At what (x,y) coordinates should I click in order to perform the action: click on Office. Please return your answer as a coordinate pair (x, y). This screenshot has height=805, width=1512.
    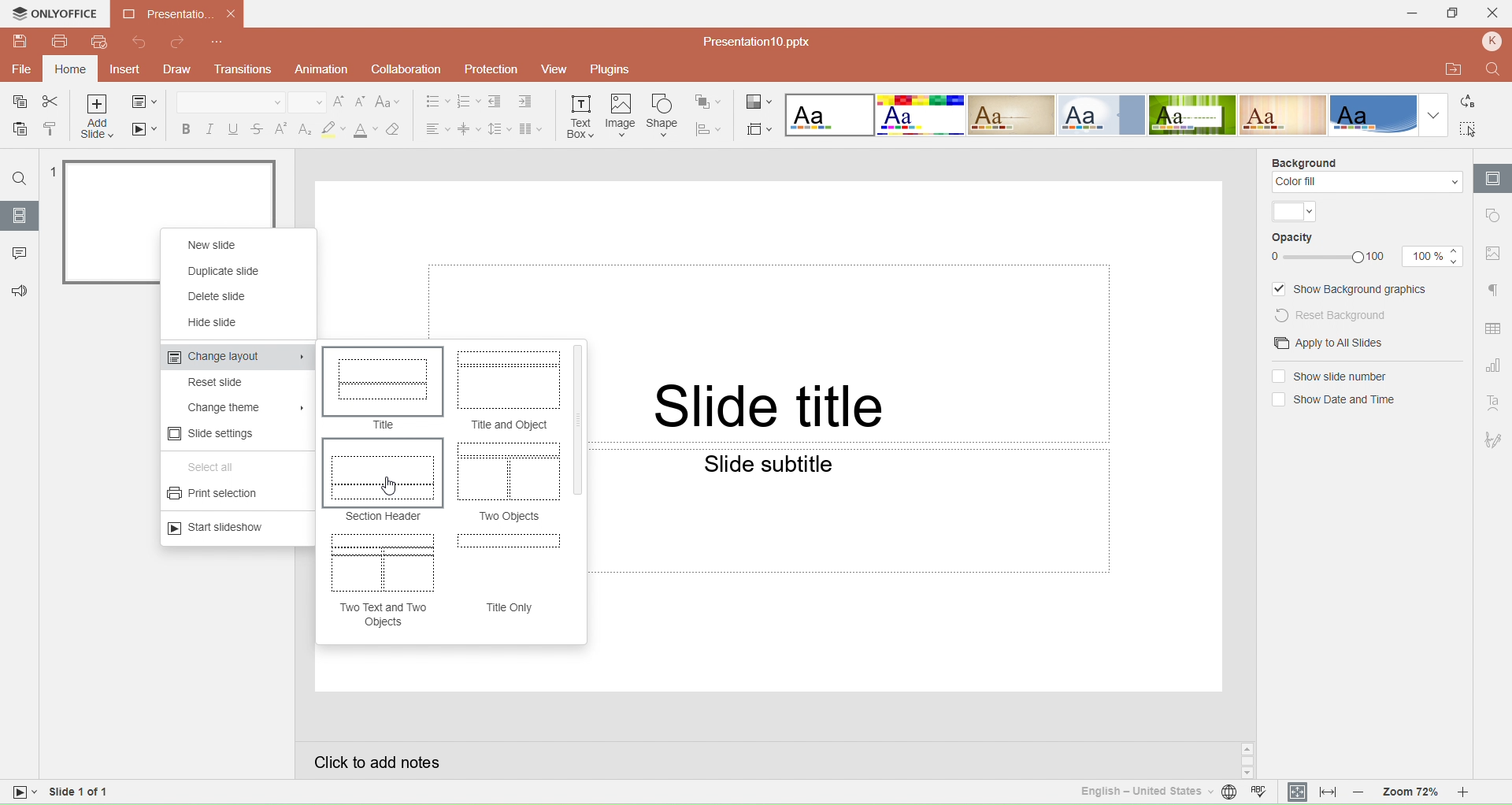
    Looking at the image, I should click on (1373, 114).